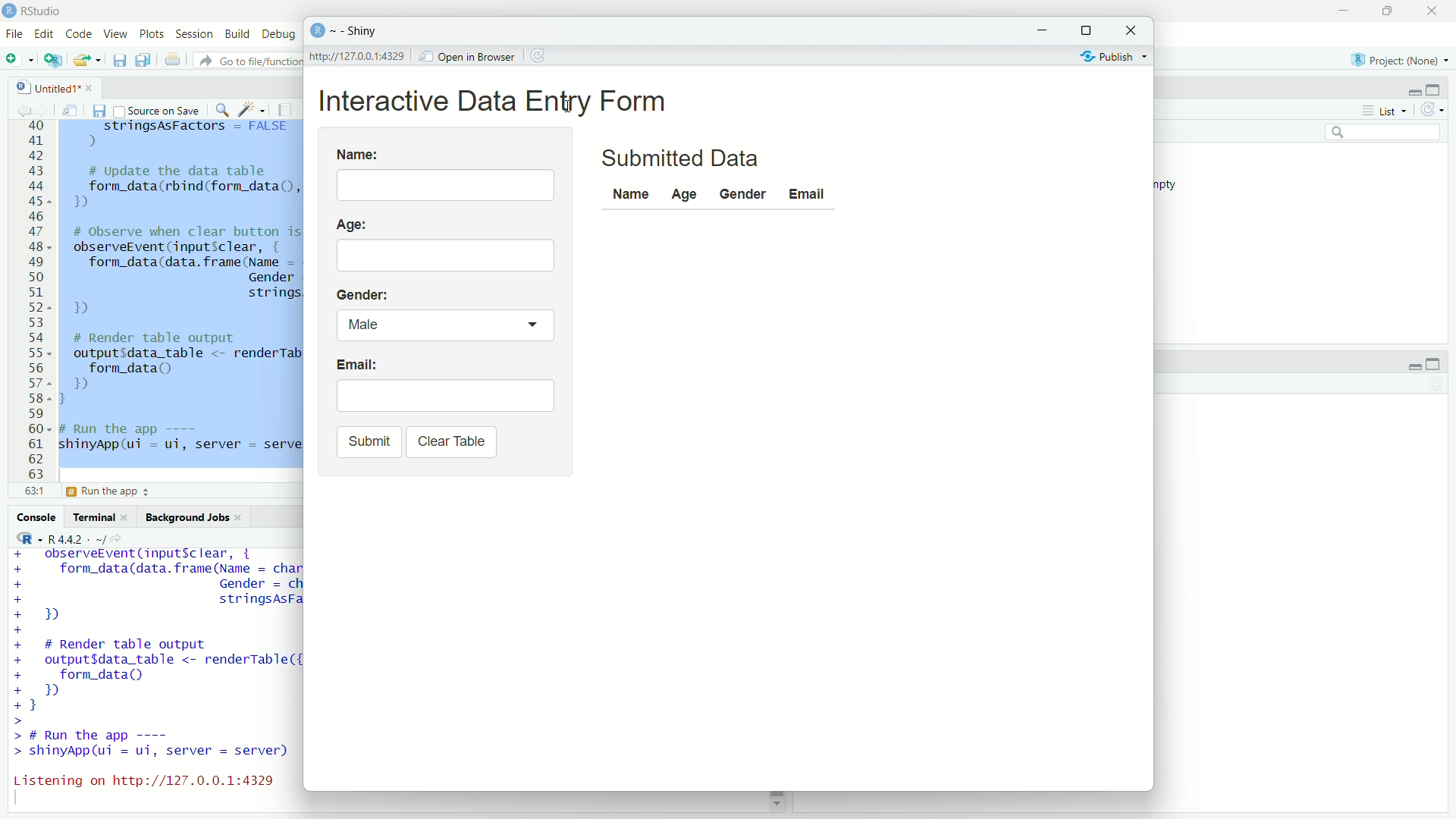 This screenshot has width=1456, height=819. I want to click on typing cursor, so click(21, 801).